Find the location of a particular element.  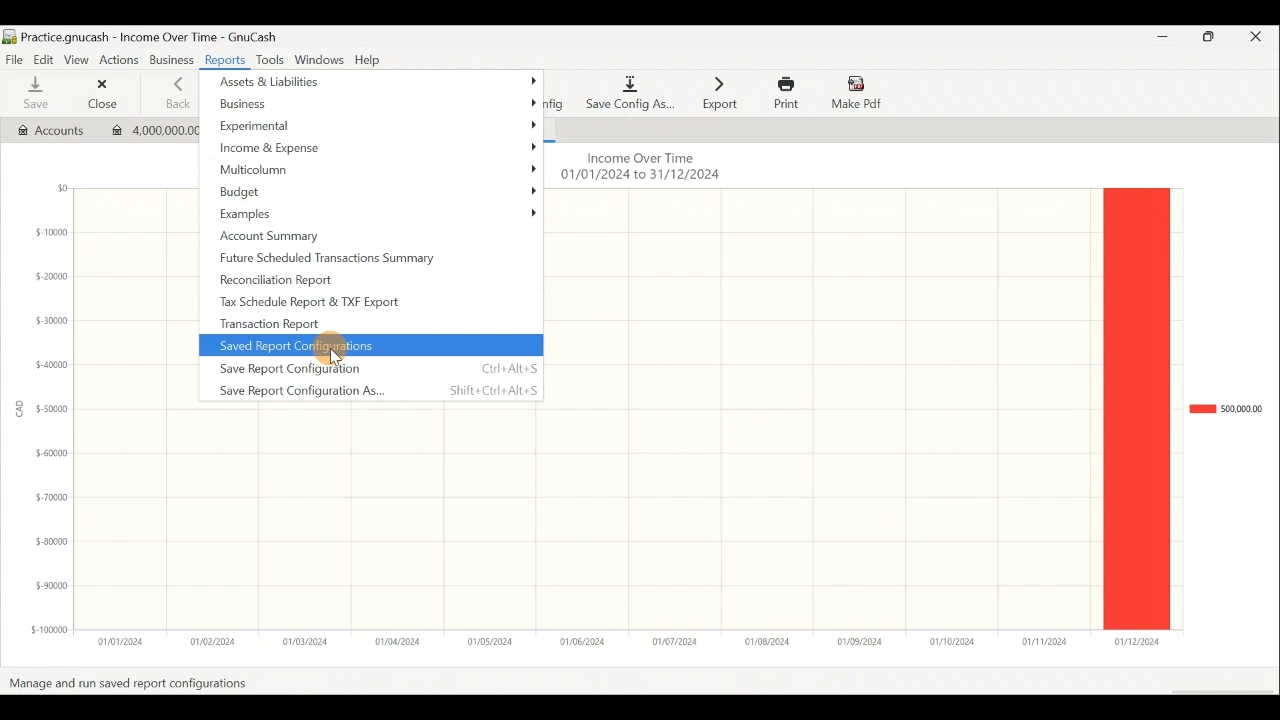

Save report configuration is located at coordinates (368, 368).